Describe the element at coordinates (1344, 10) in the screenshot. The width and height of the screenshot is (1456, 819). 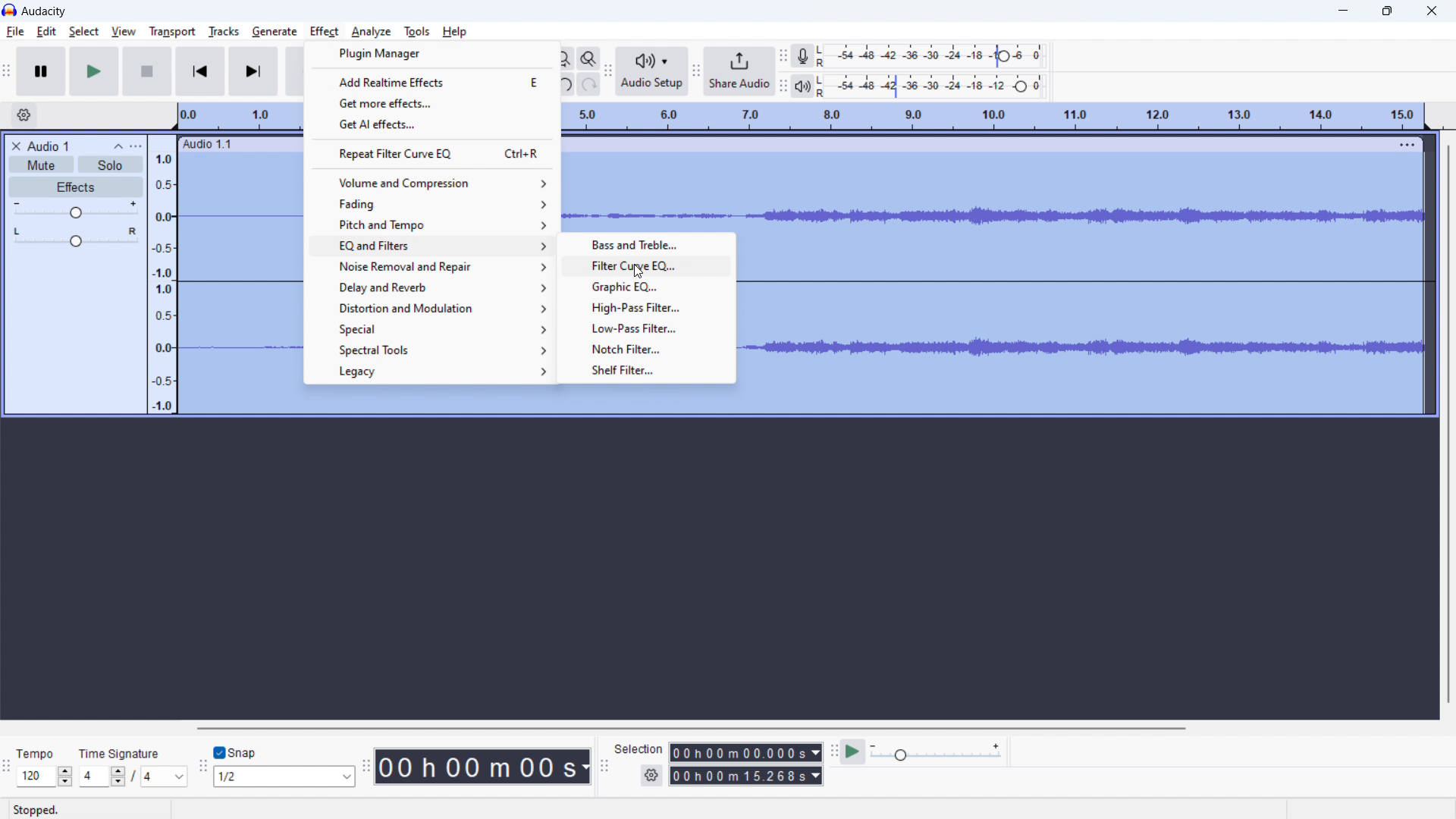
I see `minimize` at that location.